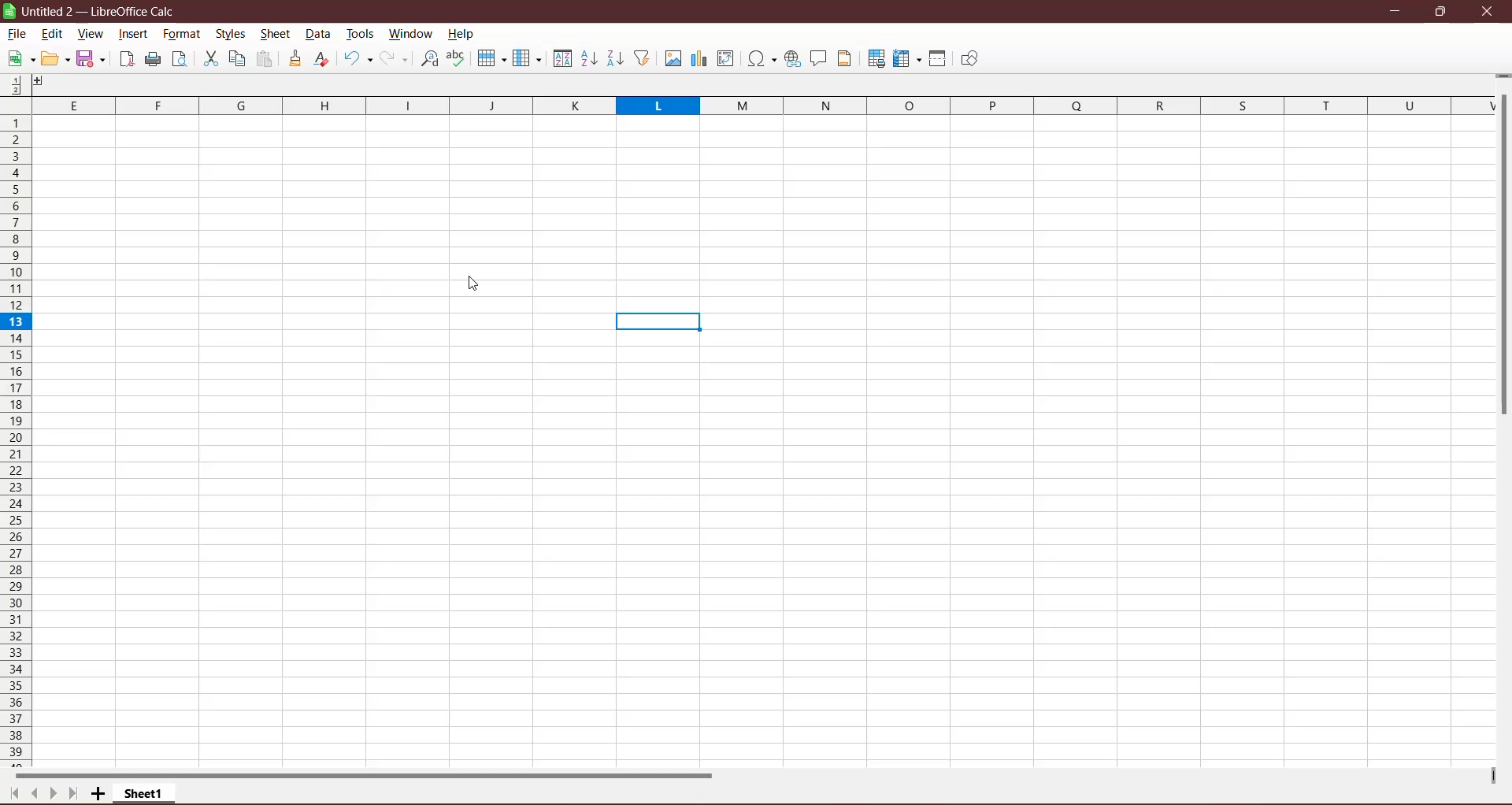 The image size is (1512, 805). I want to click on Export directly as PDF, so click(125, 61).